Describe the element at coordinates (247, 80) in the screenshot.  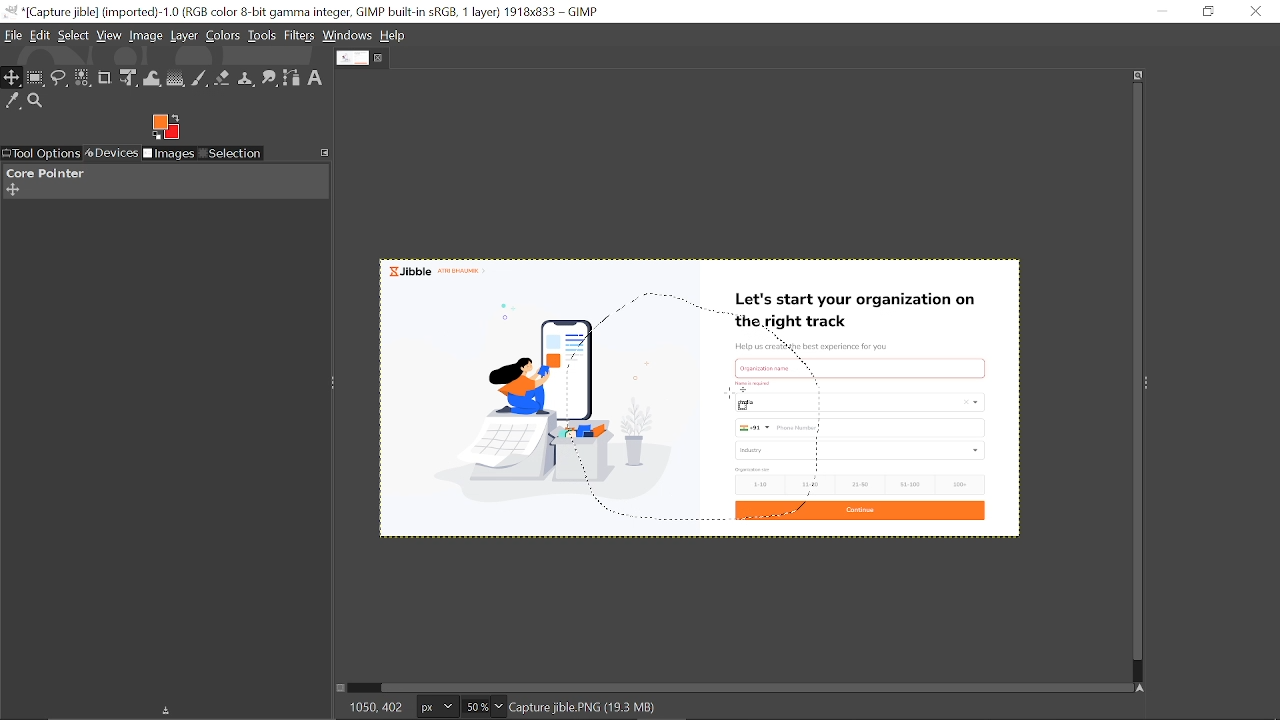
I see `Clone tool` at that location.